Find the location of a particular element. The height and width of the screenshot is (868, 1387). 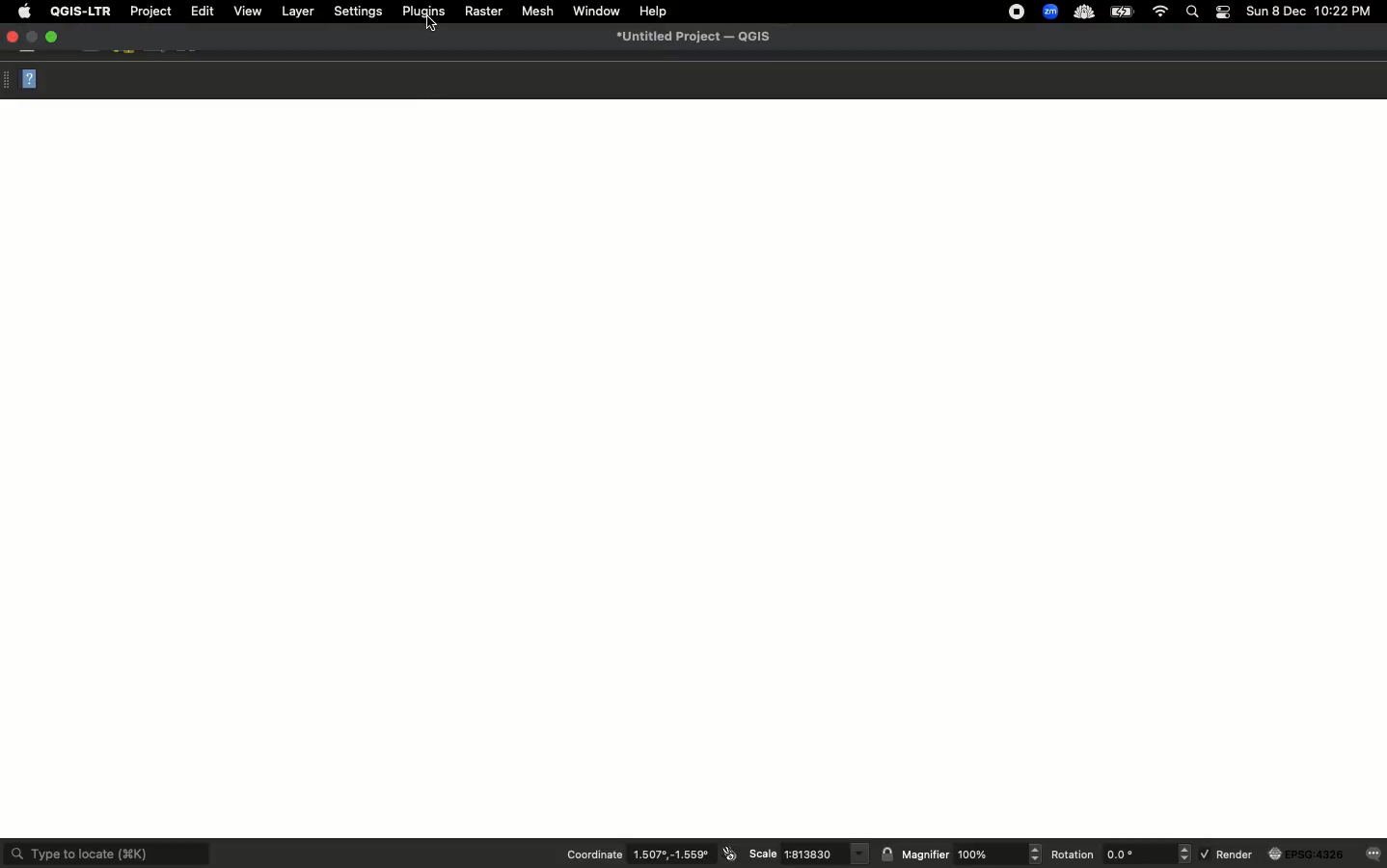

Scale is located at coordinates (827, 854).